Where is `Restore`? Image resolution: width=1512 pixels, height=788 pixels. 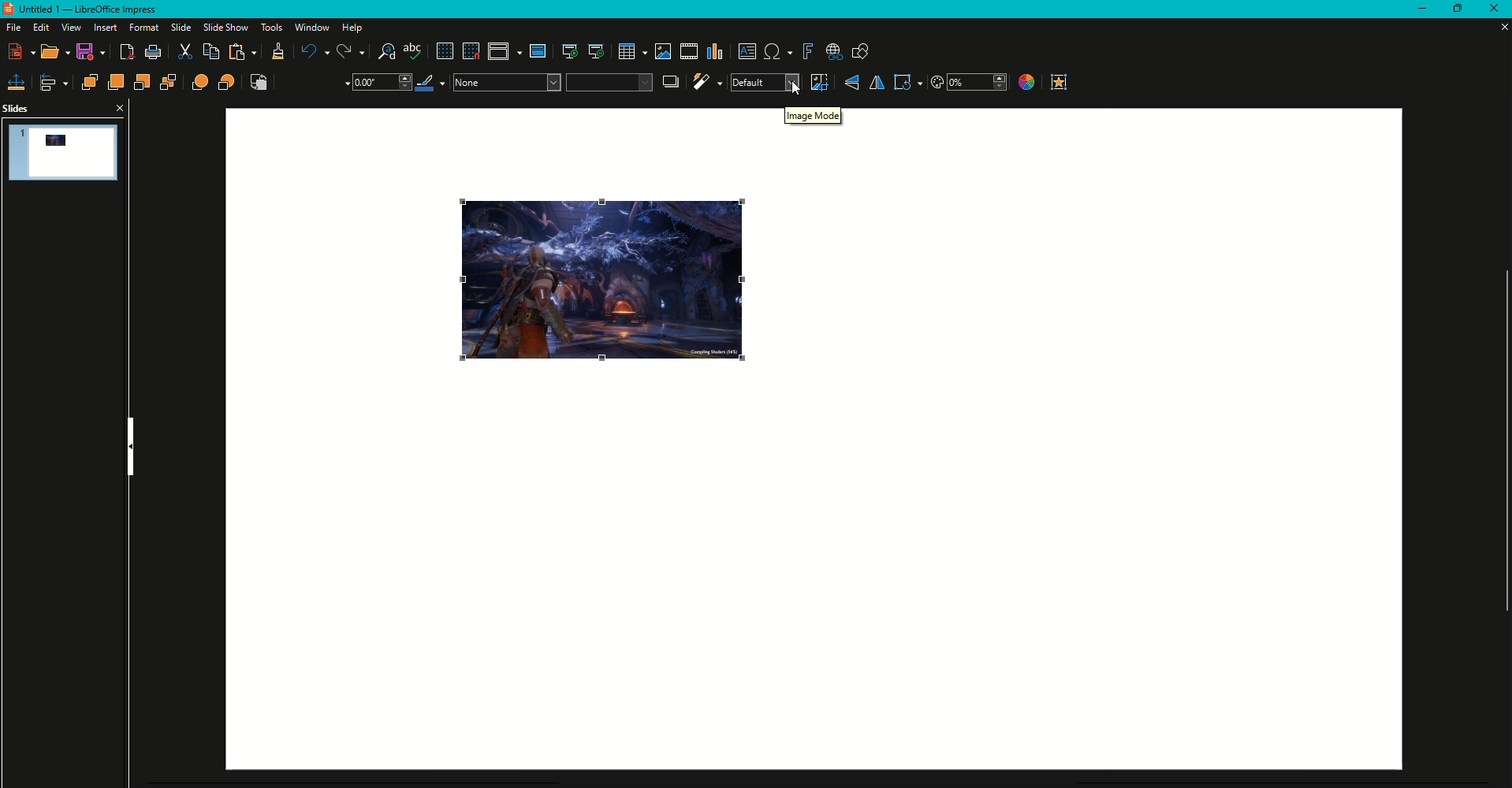 Restore is located at coordinates (1454, 9).